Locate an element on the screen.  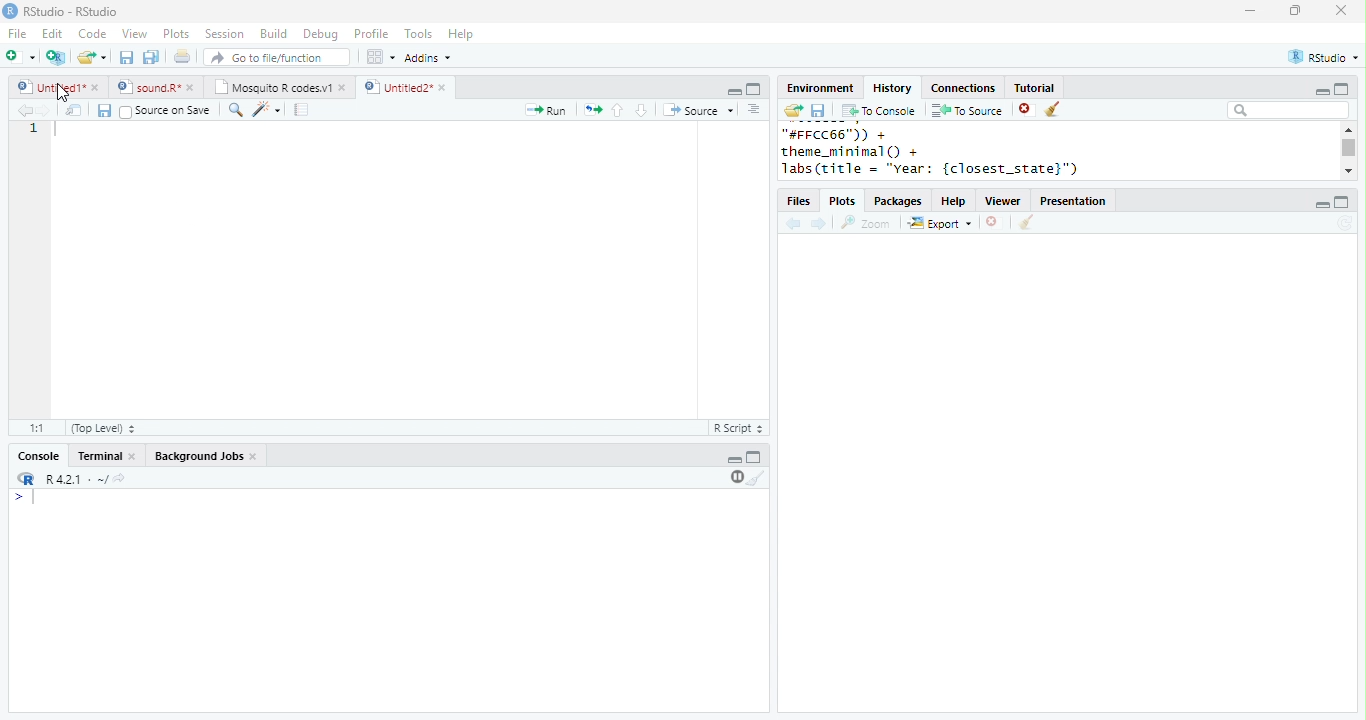
(Top Level) is located at coordinates (103, 428).